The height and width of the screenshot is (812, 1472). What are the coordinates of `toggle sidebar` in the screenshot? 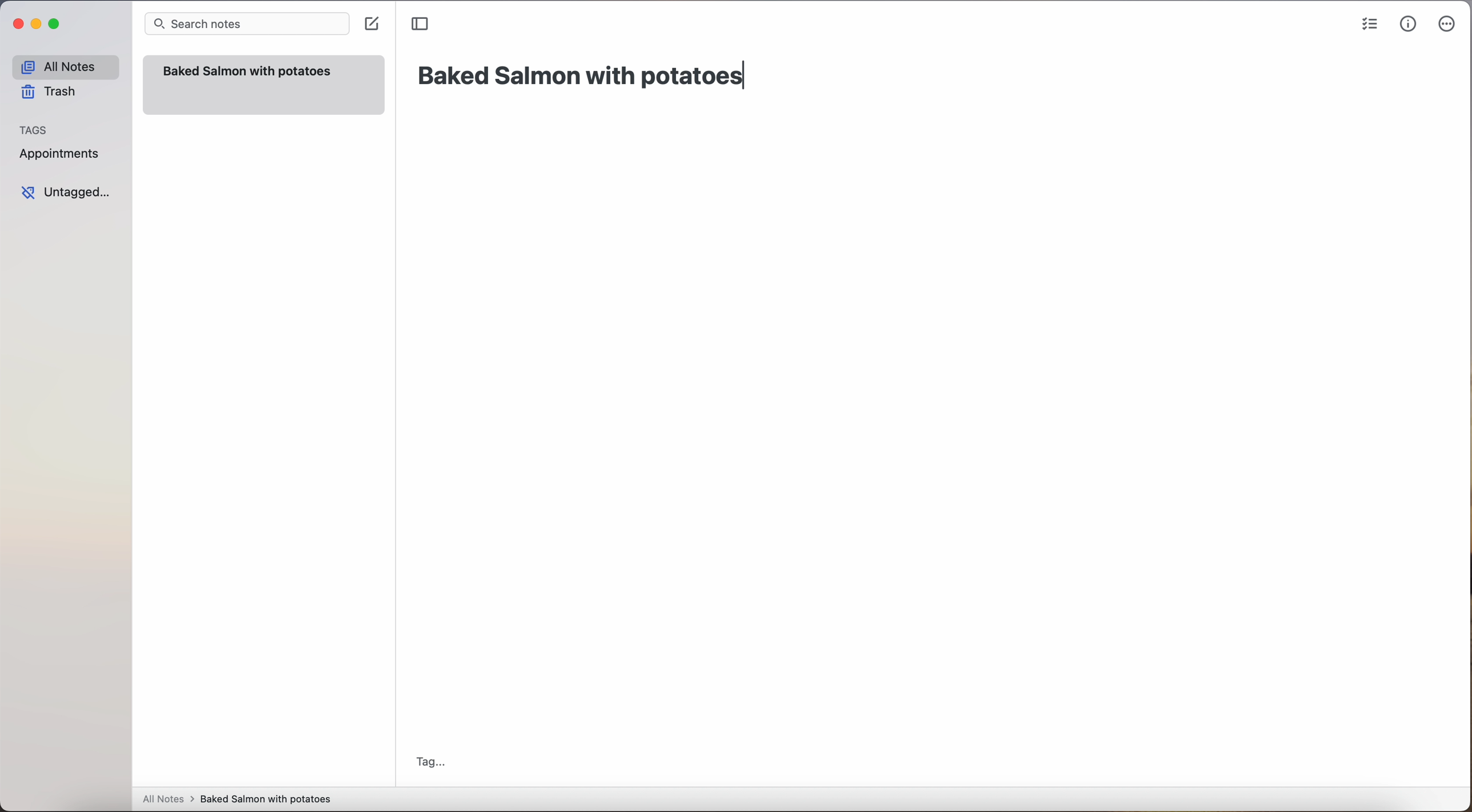 It's located at (421, 25).